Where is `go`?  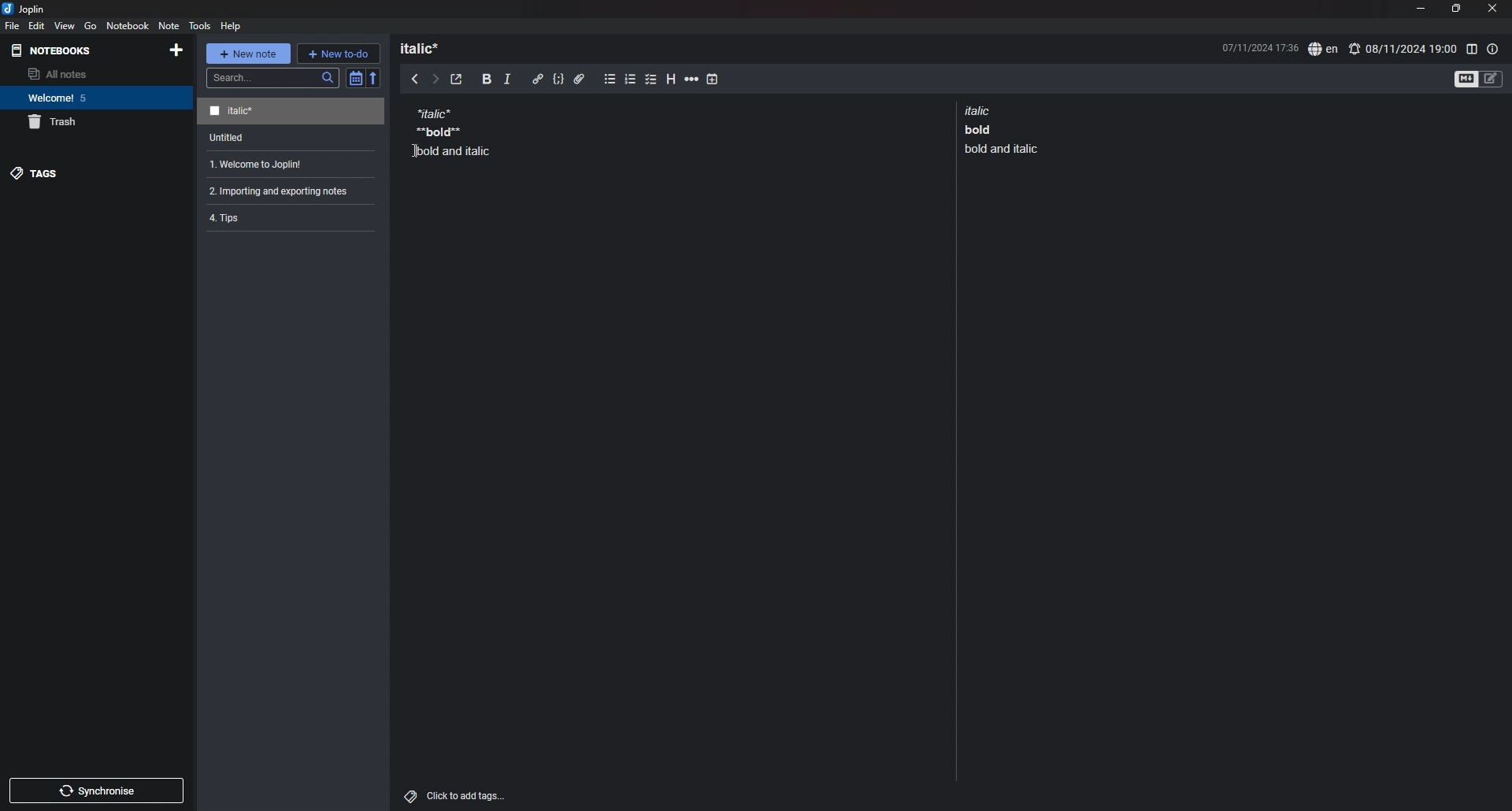 go is located at coordinates (90, 26).